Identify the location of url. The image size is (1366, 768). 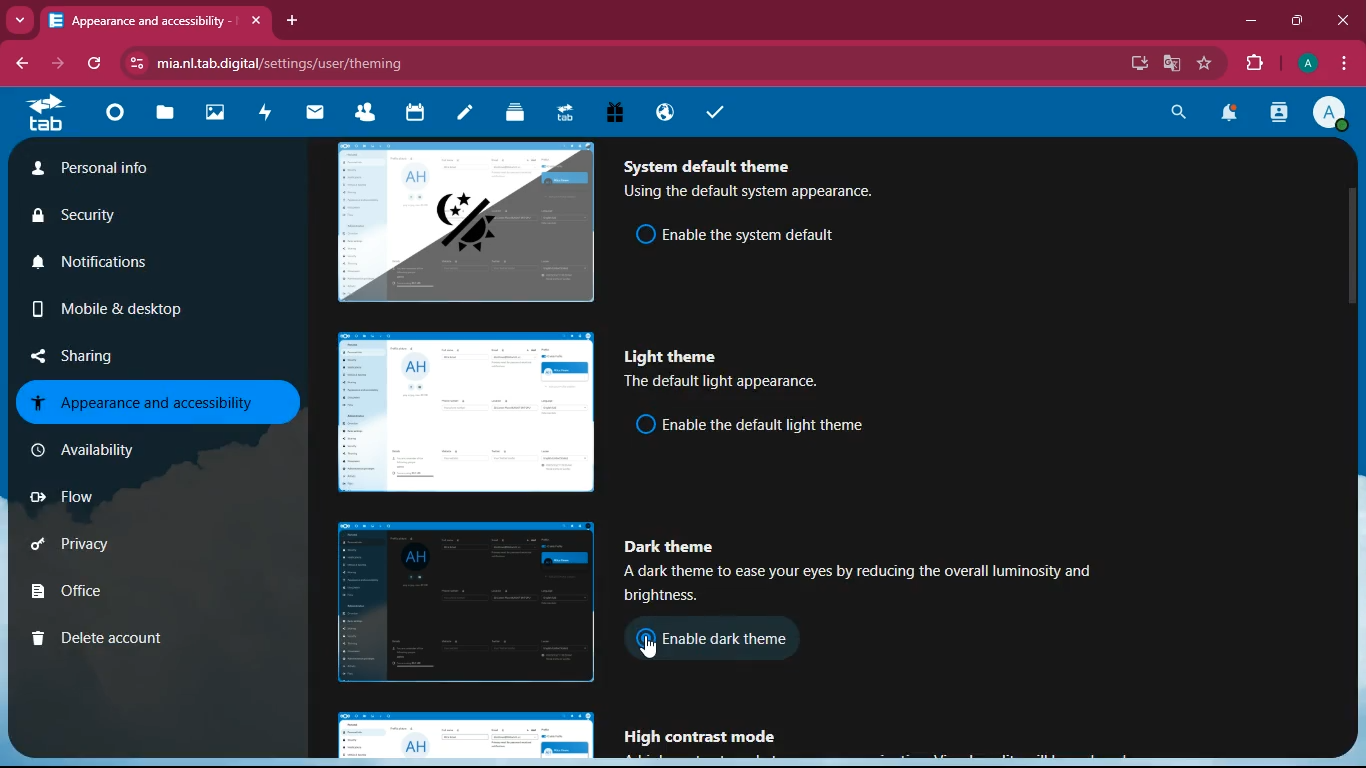
(288, 63).